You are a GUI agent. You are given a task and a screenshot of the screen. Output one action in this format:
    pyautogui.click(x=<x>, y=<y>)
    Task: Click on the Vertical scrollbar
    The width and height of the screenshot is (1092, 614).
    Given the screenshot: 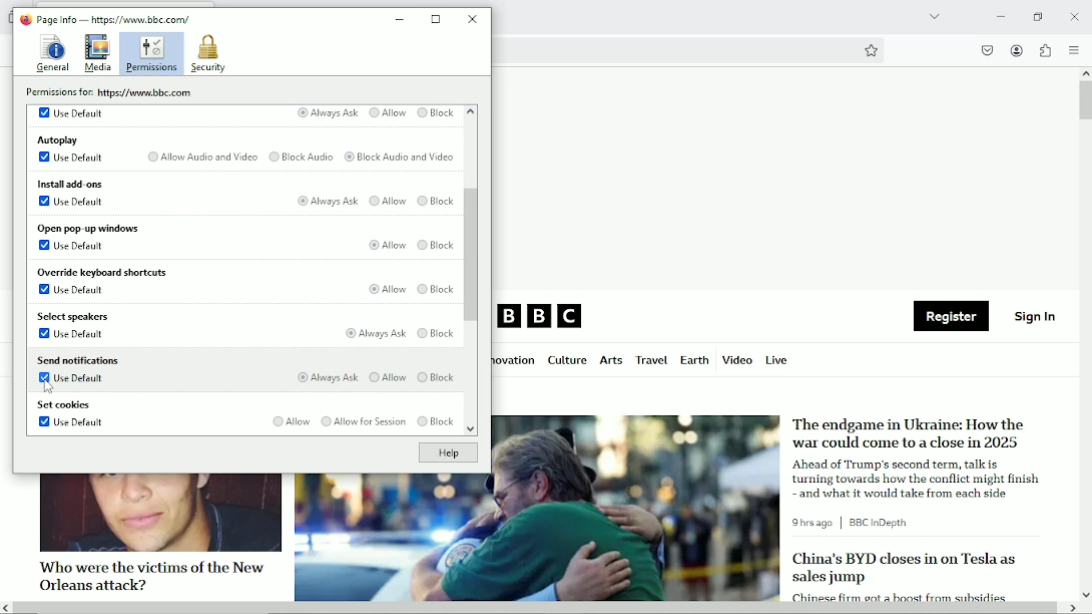 What is the action you would take?
    pyautogui.click(x=1085, y=101)
    